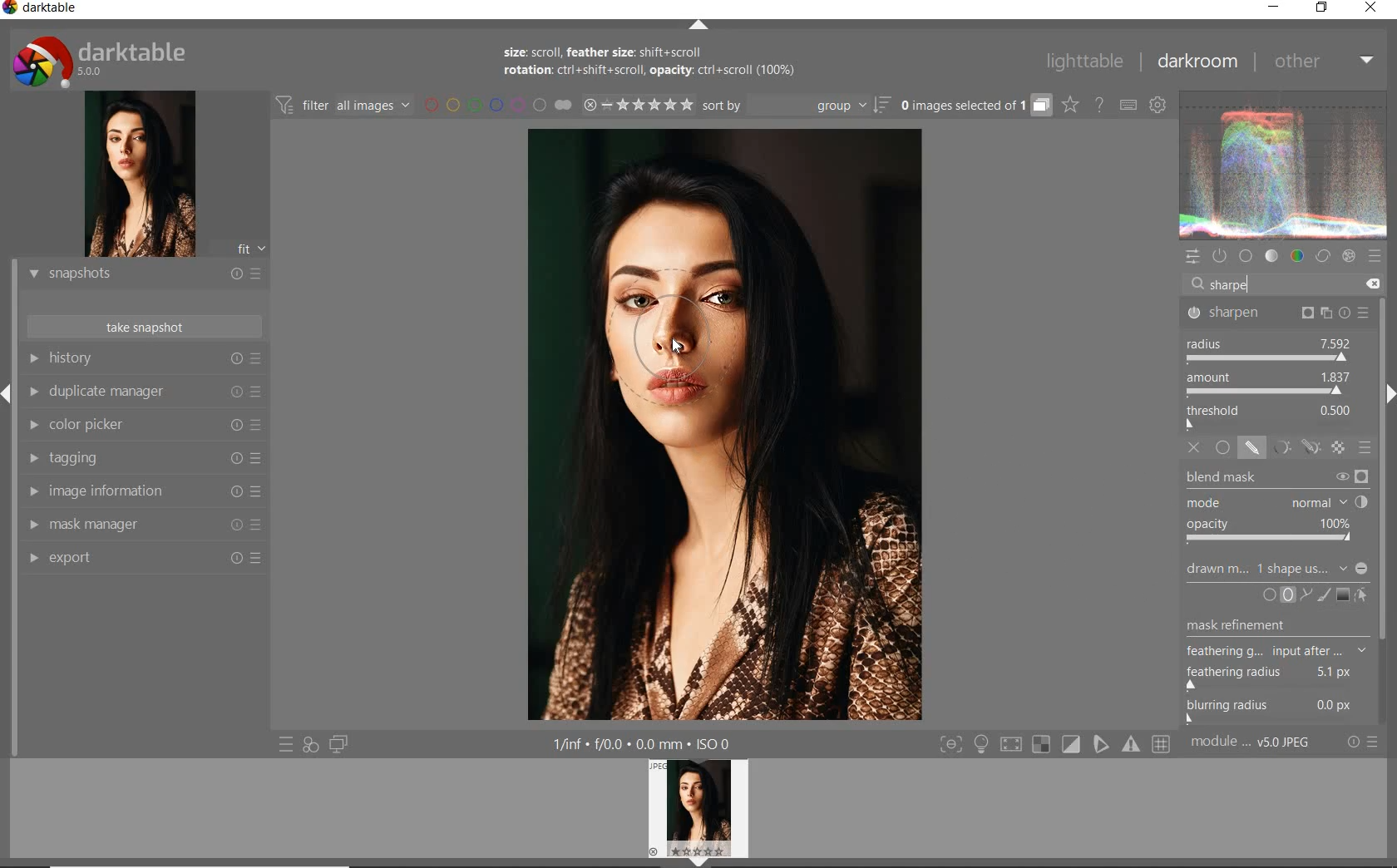  I want to click on filter images based on their modules, so click(344, 104).